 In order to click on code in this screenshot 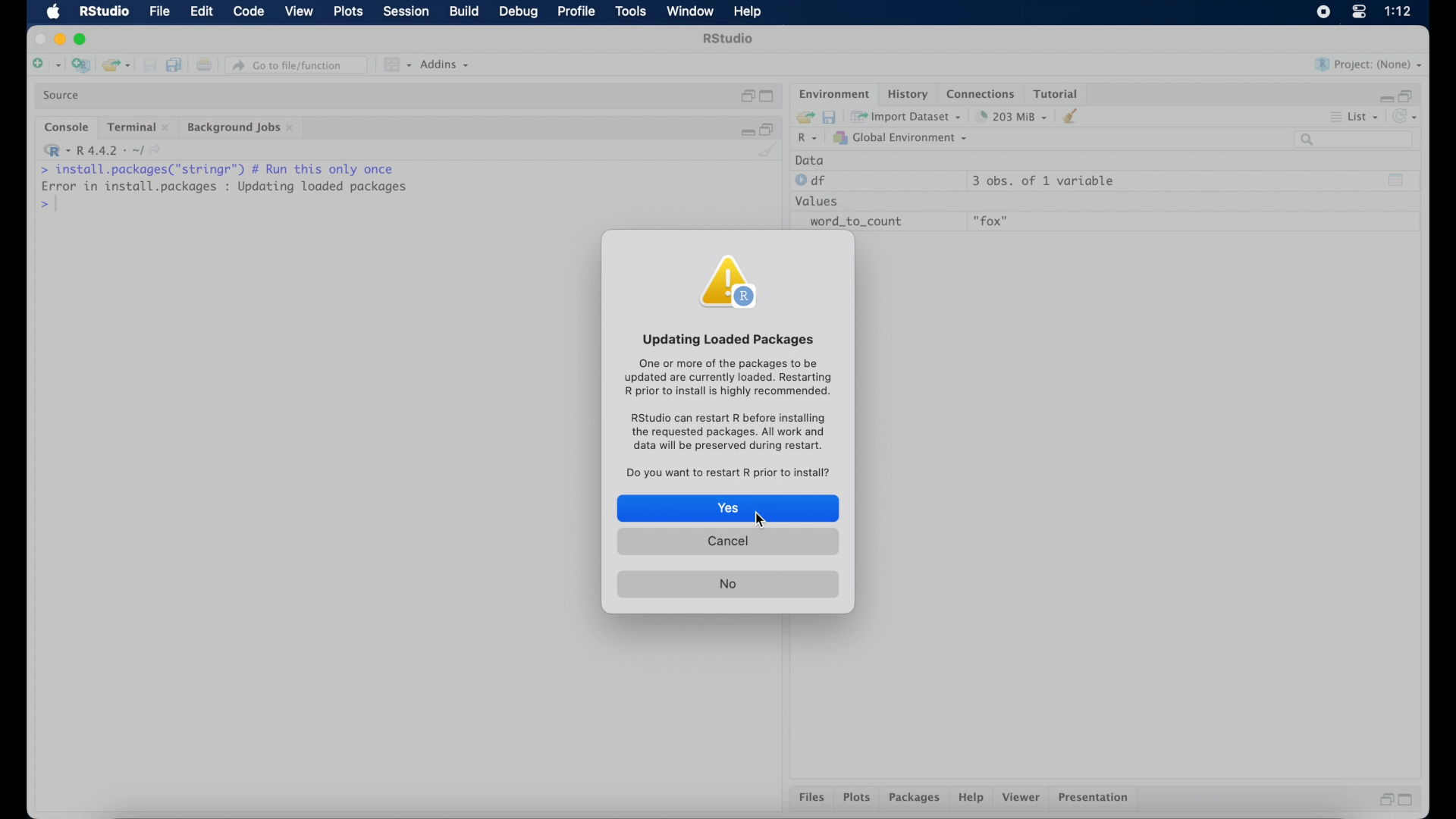, I will do `click(249, 12)`.